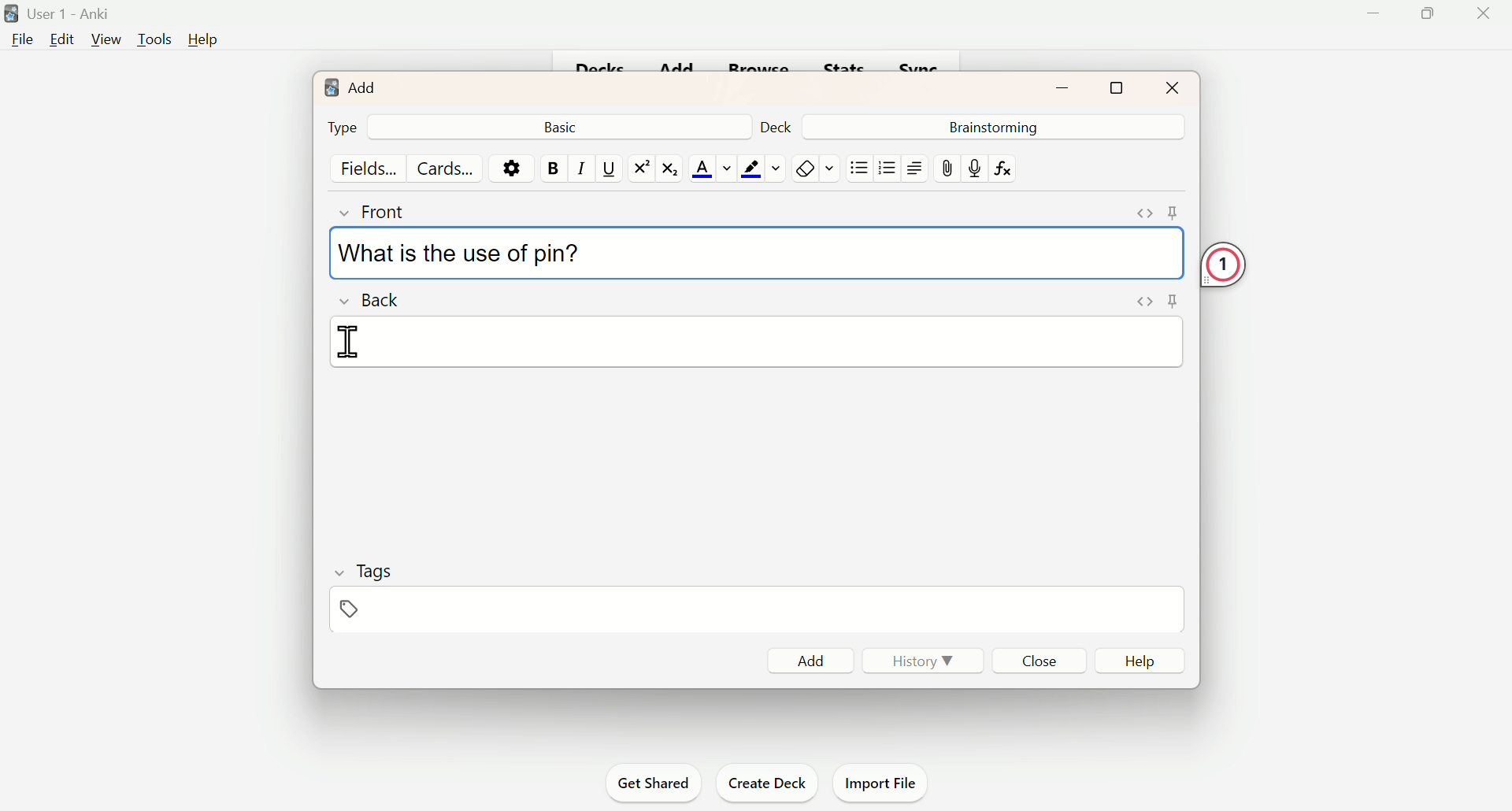 The image size is (1512, 811). I want to click on Brainstorming, so click(991, 126).